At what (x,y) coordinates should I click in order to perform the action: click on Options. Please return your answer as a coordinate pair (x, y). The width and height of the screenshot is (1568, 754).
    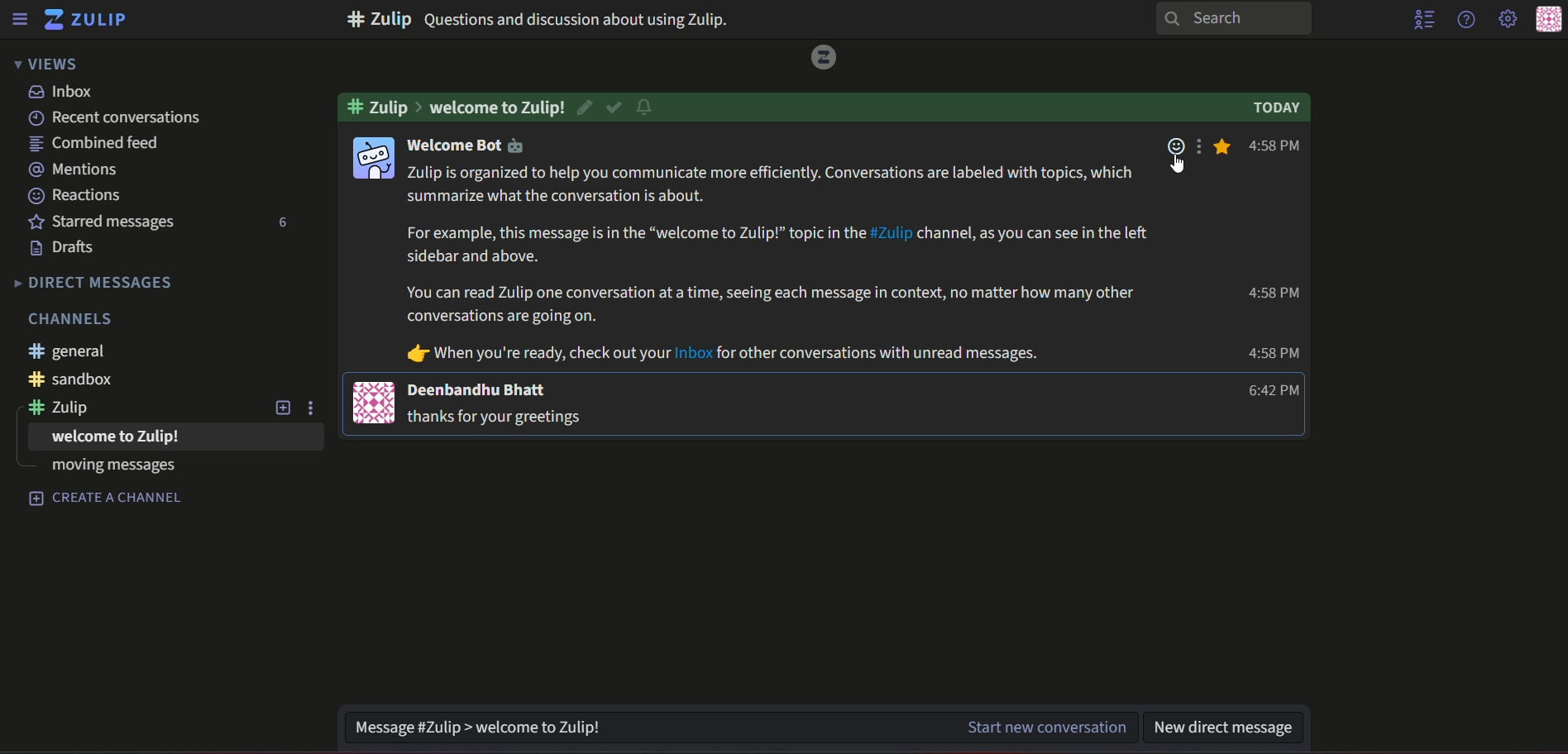
    Looking at the image, I should click on (316, 408).